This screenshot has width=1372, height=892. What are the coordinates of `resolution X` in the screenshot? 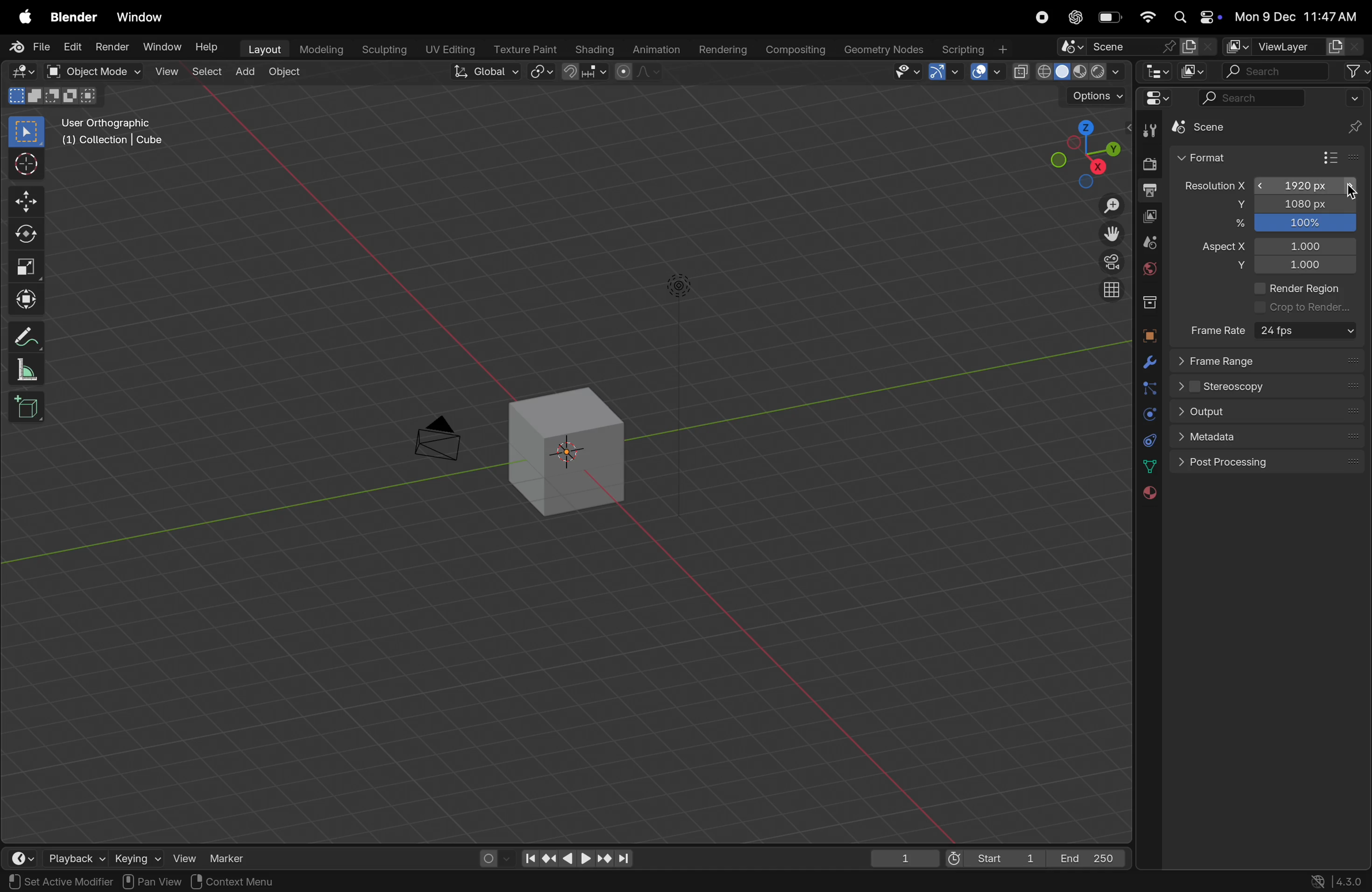 It's located at (1211, 185).